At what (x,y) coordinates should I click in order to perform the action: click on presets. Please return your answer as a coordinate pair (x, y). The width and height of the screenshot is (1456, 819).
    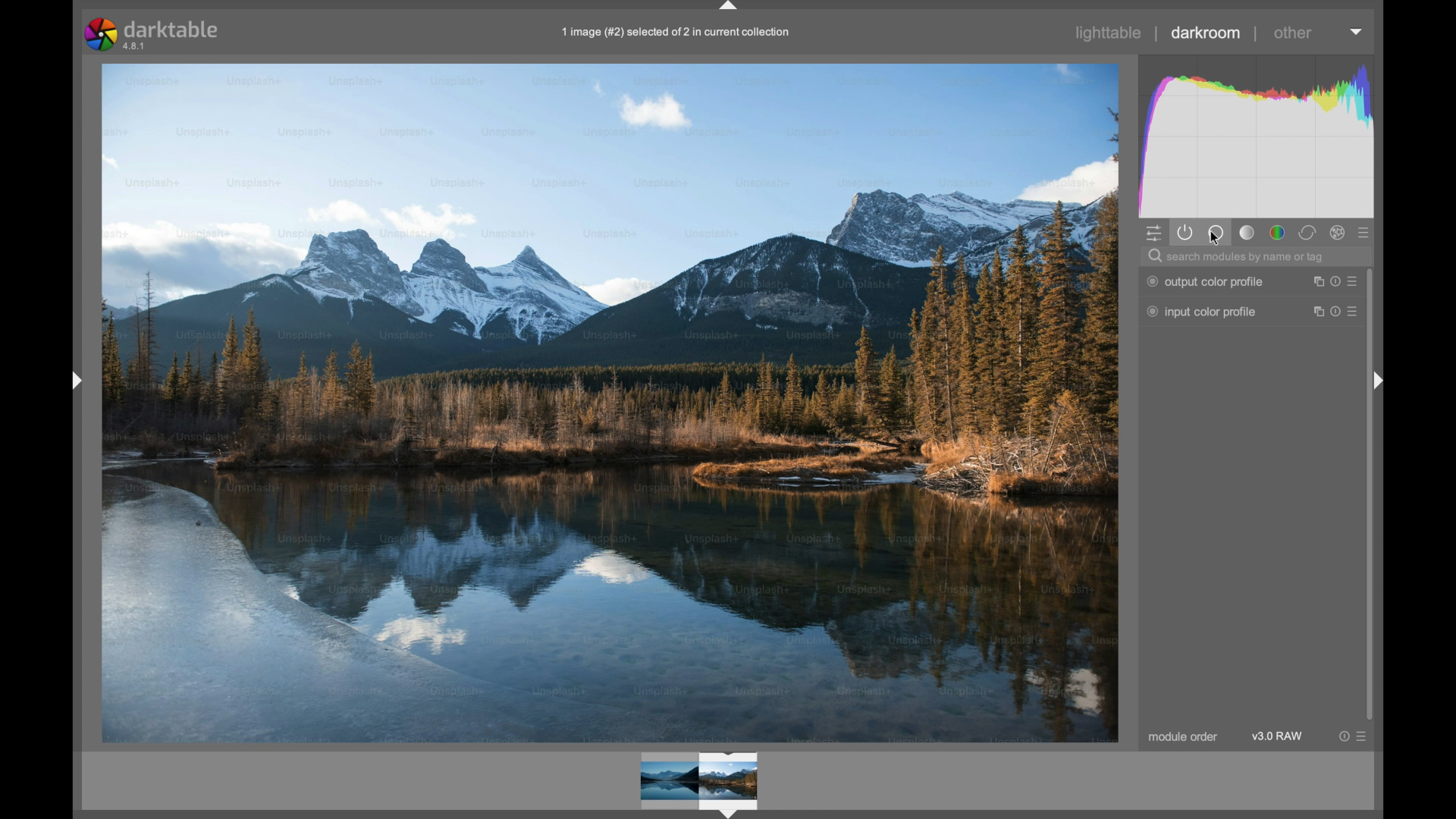
    Looking at the image, I should click on (1365, 234).